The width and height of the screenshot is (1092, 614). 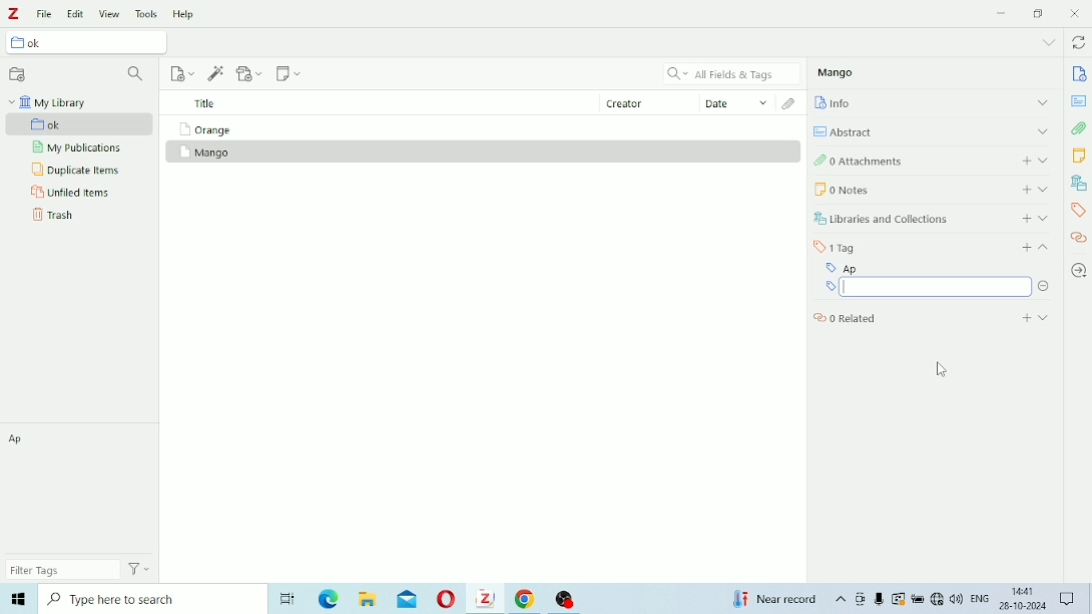 I want to click on Mail, so click(x=410, y=599).